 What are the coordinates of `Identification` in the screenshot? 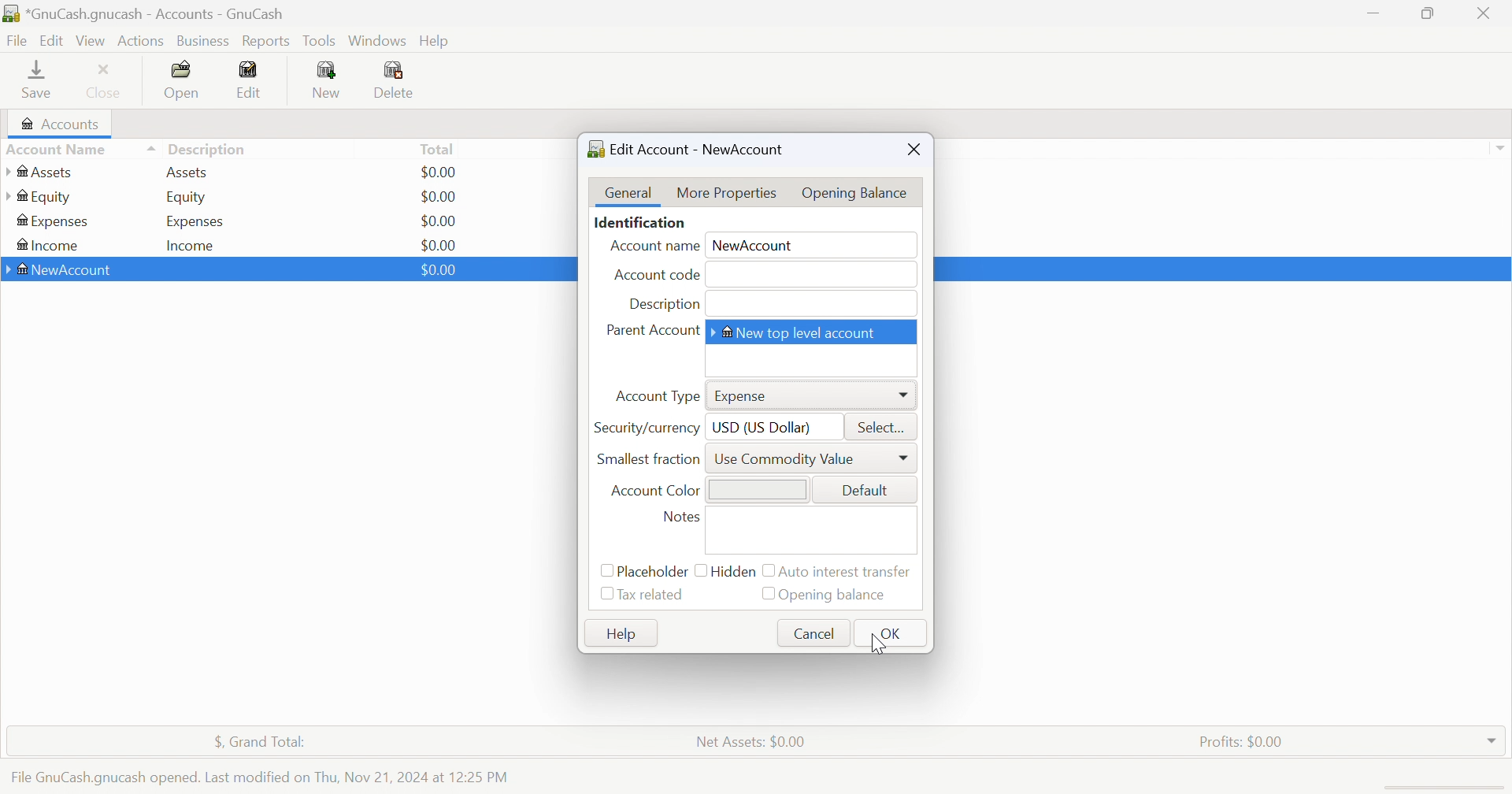 It's located at (641, 224).